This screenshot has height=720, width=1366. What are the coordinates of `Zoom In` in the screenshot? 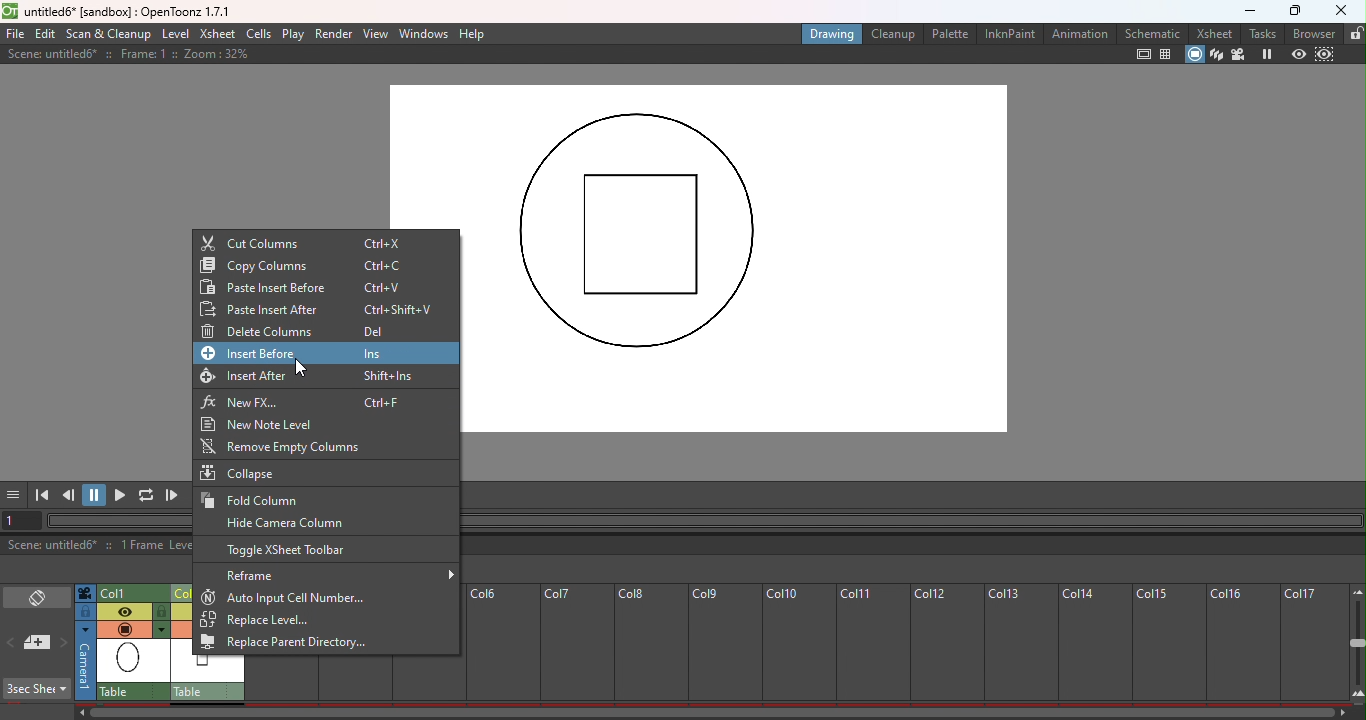 It's located at (1356, 694).